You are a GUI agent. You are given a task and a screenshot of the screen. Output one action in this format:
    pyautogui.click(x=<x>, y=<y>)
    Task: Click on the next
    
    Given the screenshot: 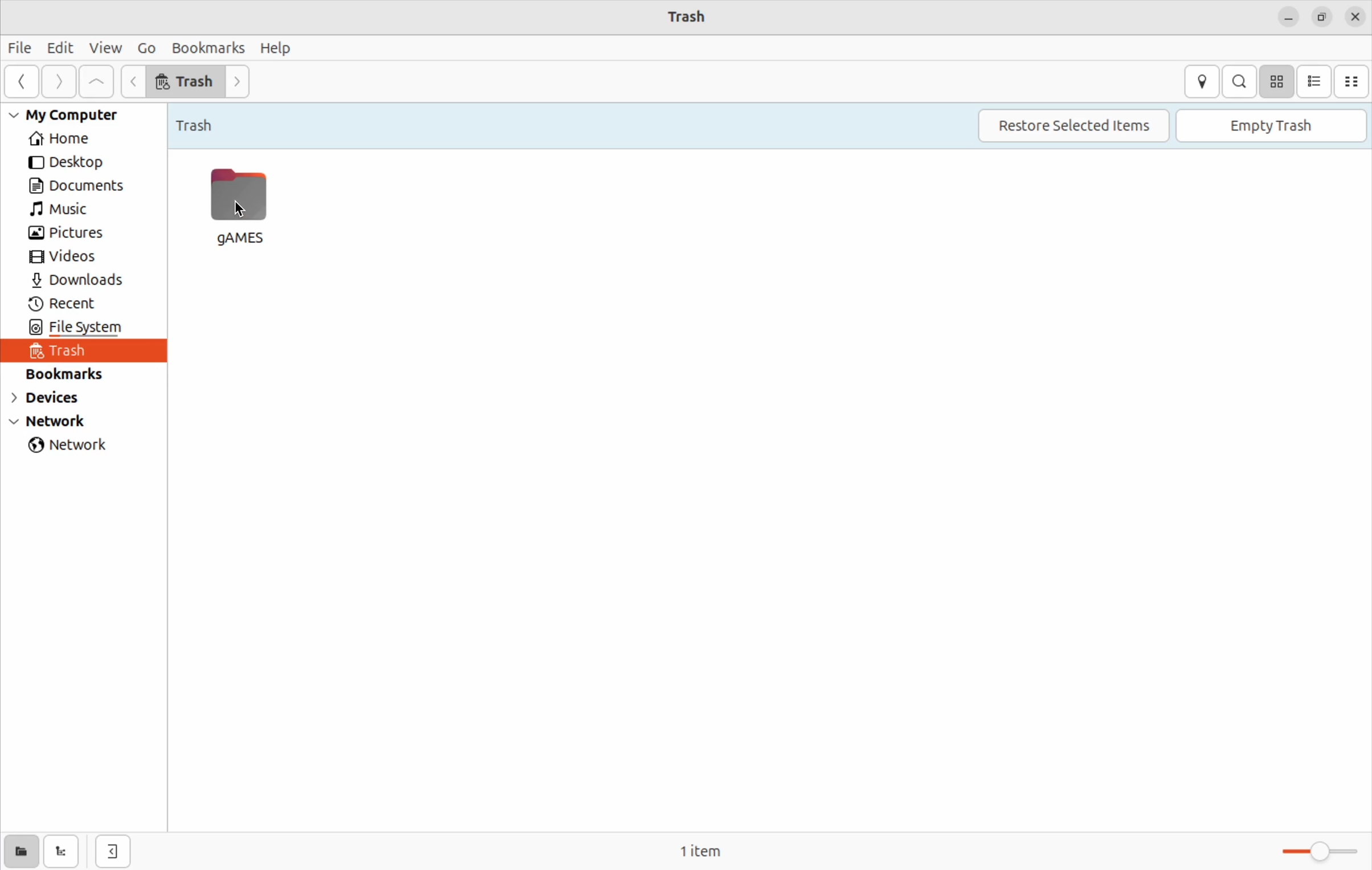 What is the action you would take?
    pyautogui.click(x=59, y=82)
    